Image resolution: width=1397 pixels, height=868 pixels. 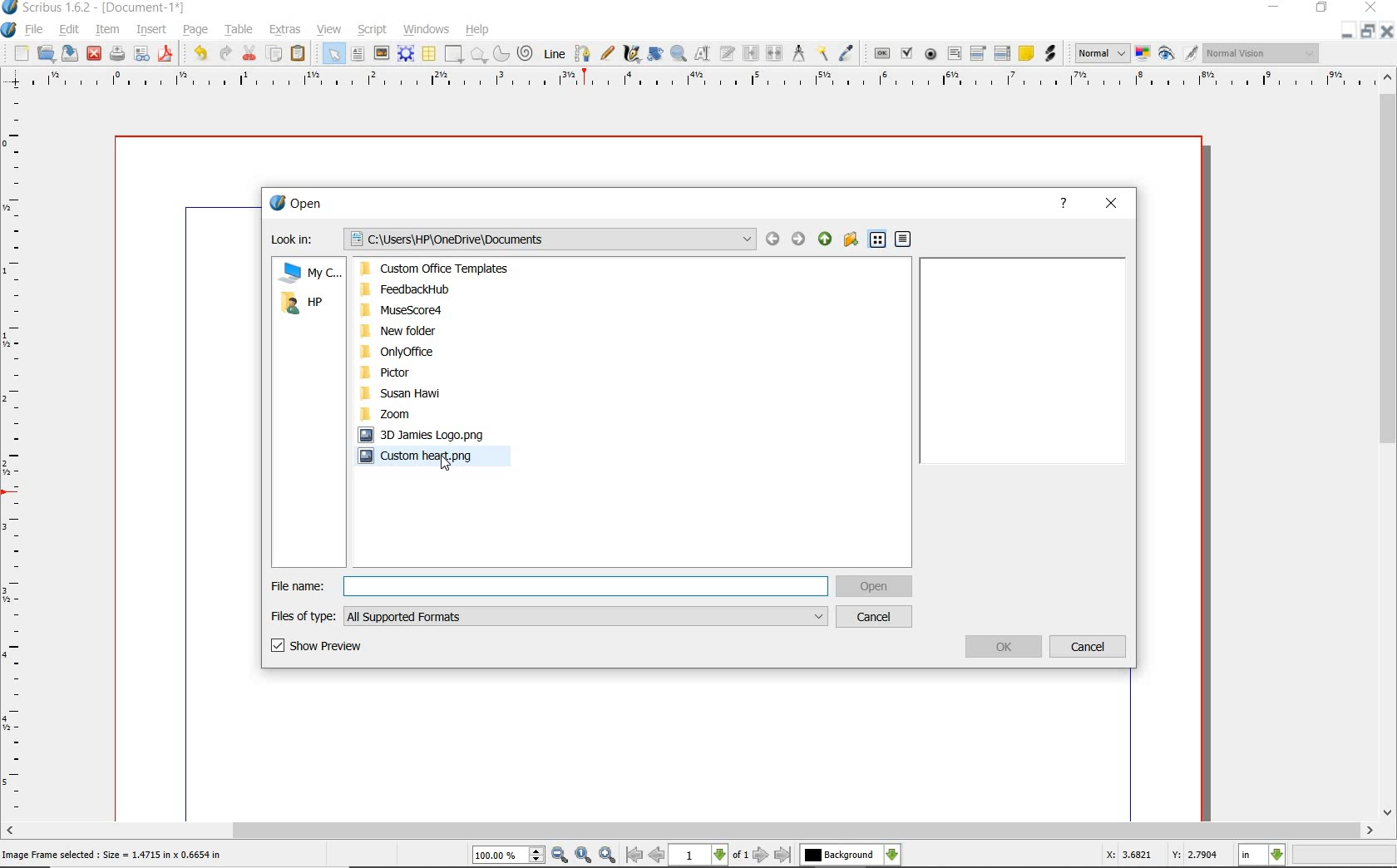 I want to click on spiral, so click(x=526, y=54).